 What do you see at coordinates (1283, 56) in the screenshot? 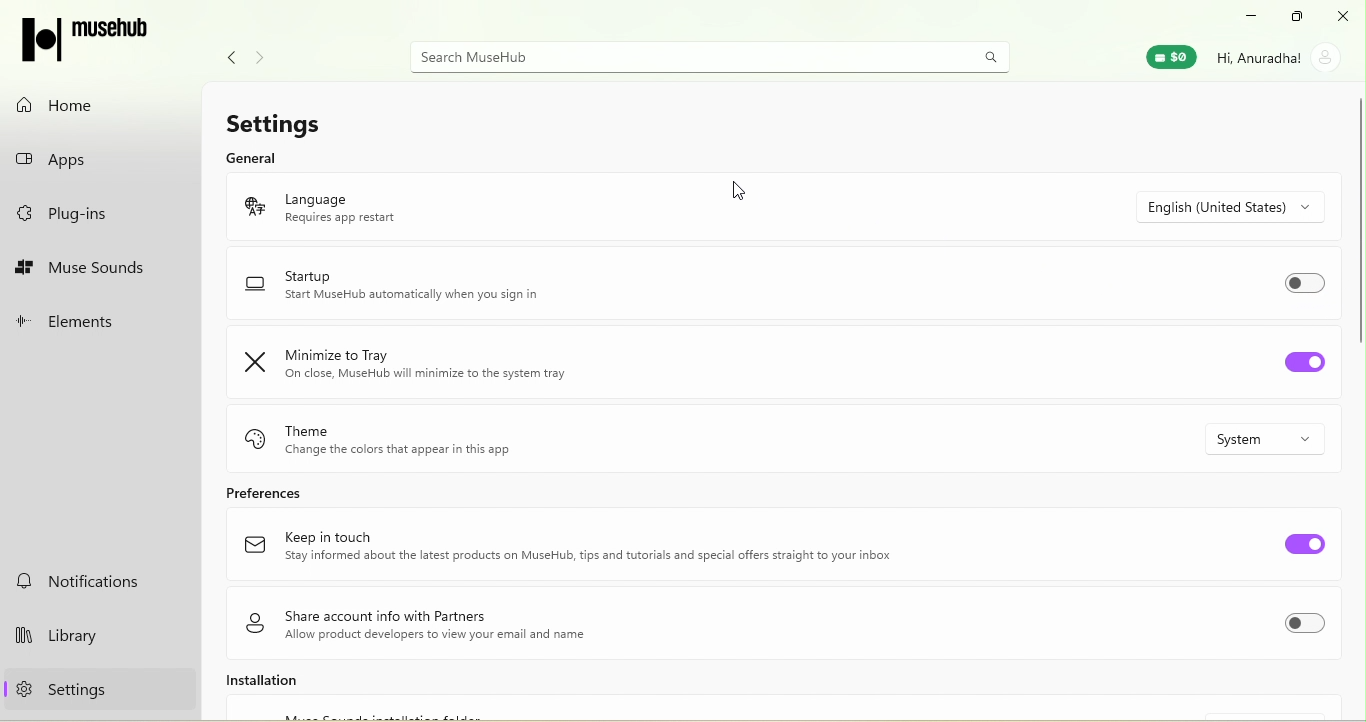
I see `account` at bounding box center [1283, 56].